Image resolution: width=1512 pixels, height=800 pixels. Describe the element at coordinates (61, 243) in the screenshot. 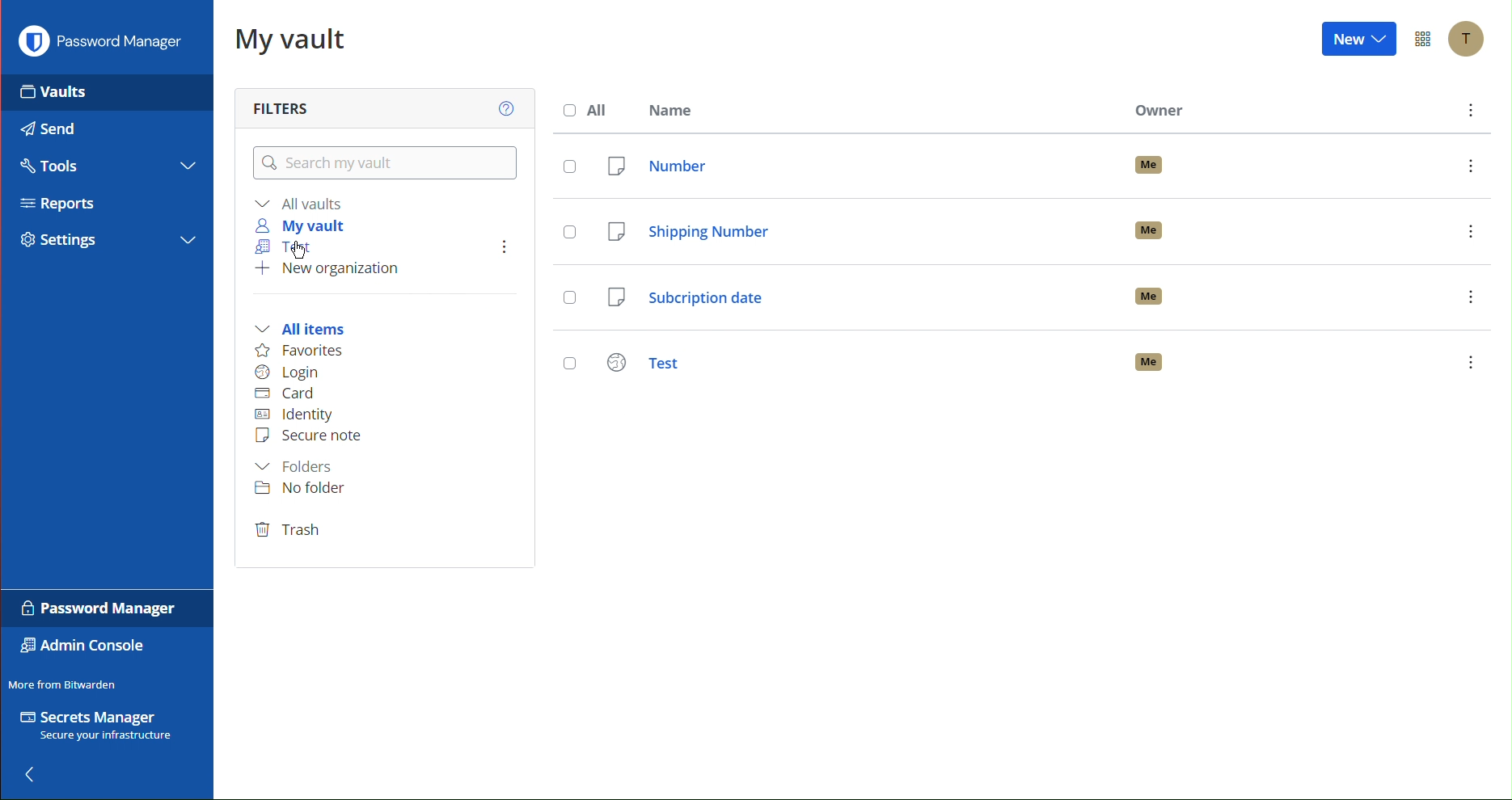

I see `Settings` at that location.